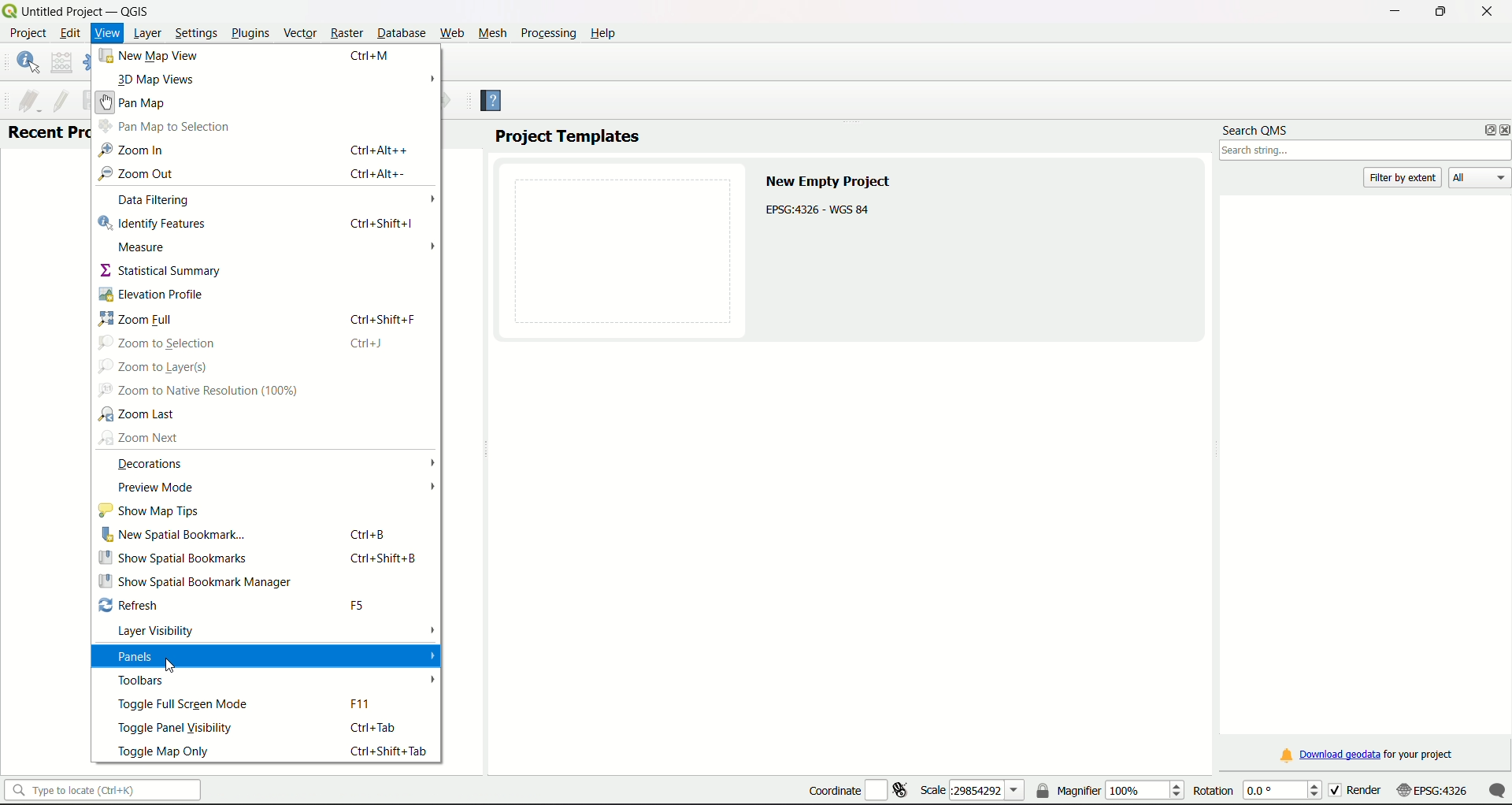  What do you see at coordinates (153, 80) in the screenshot?
I see `3D Map View` at bounding box center [153, 80].